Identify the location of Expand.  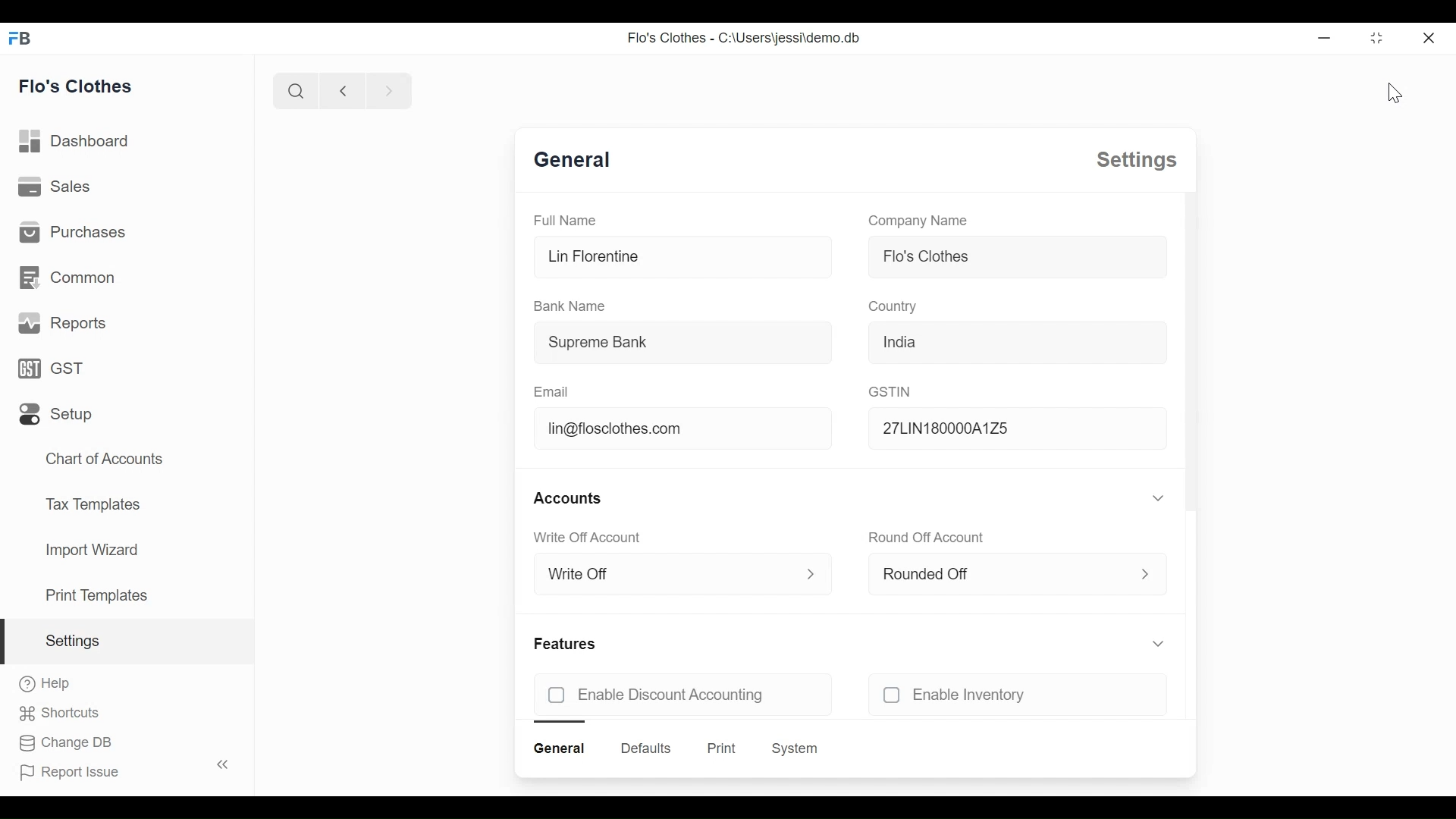
(803, 572).